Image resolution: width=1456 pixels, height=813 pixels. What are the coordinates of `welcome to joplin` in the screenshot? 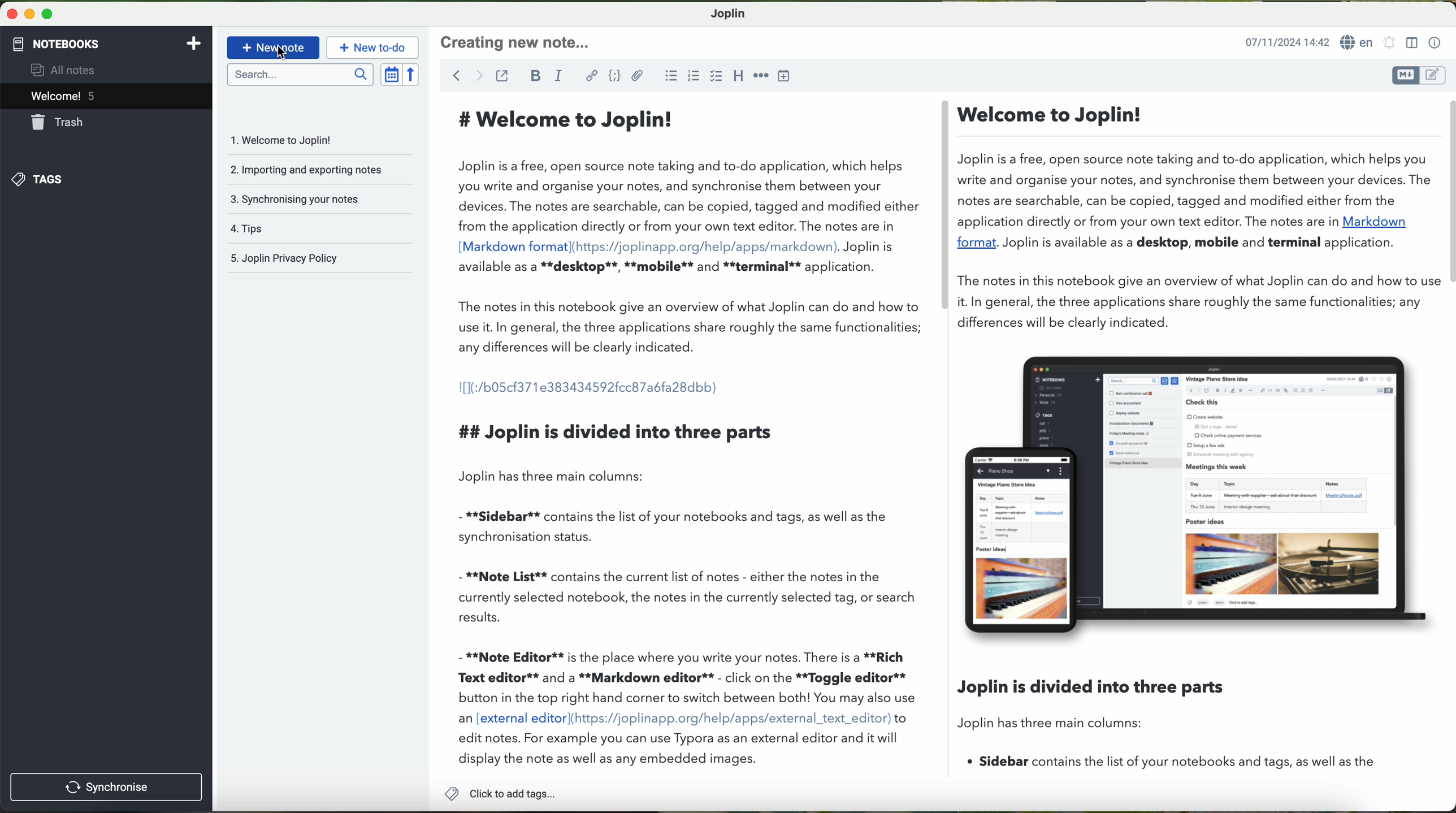 It's located at (307, 141).